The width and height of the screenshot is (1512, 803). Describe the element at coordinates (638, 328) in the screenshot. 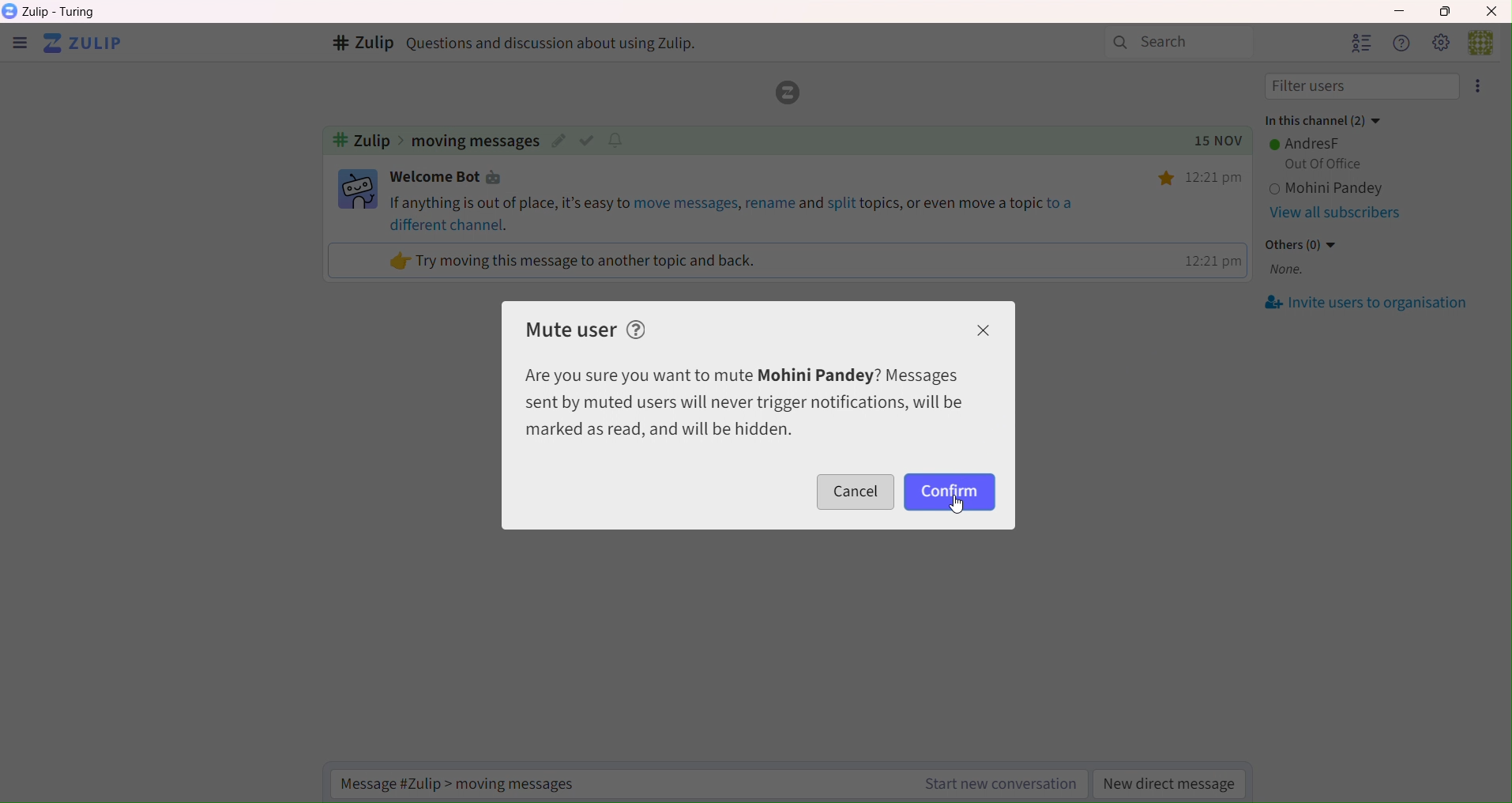

I see `help` at that location.